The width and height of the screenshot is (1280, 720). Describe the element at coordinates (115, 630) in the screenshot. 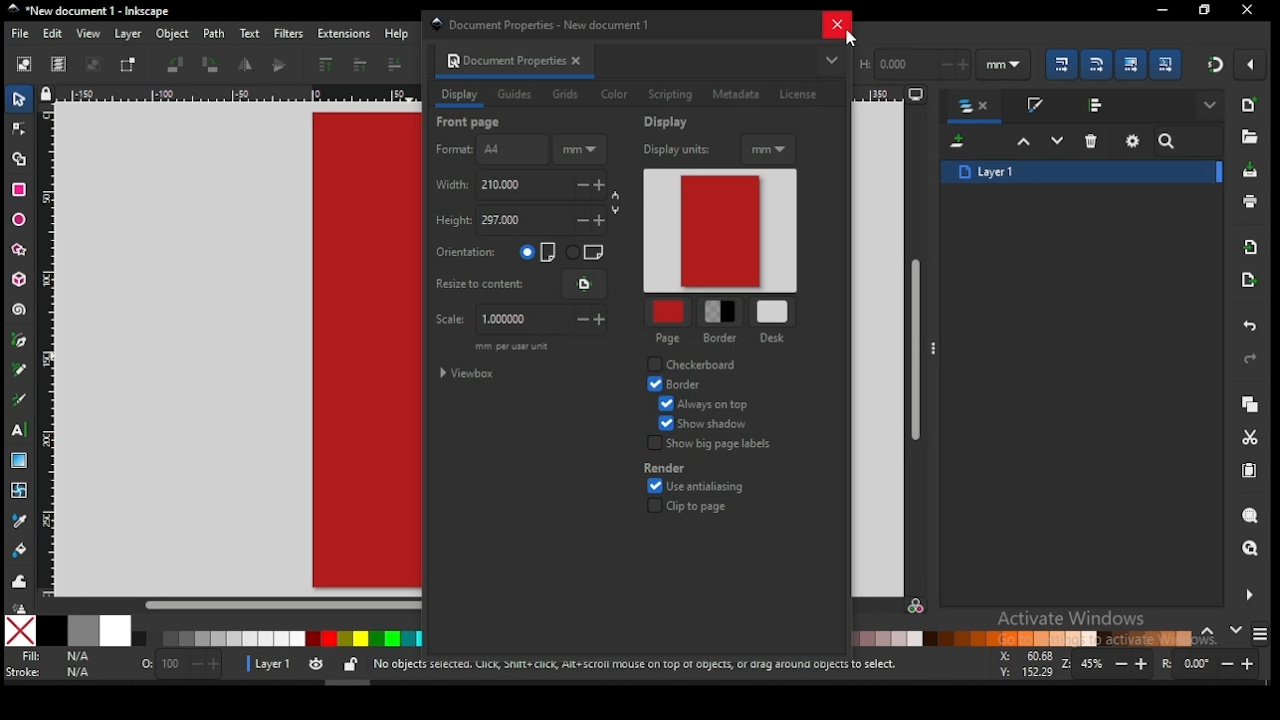

I see `white` at that location.